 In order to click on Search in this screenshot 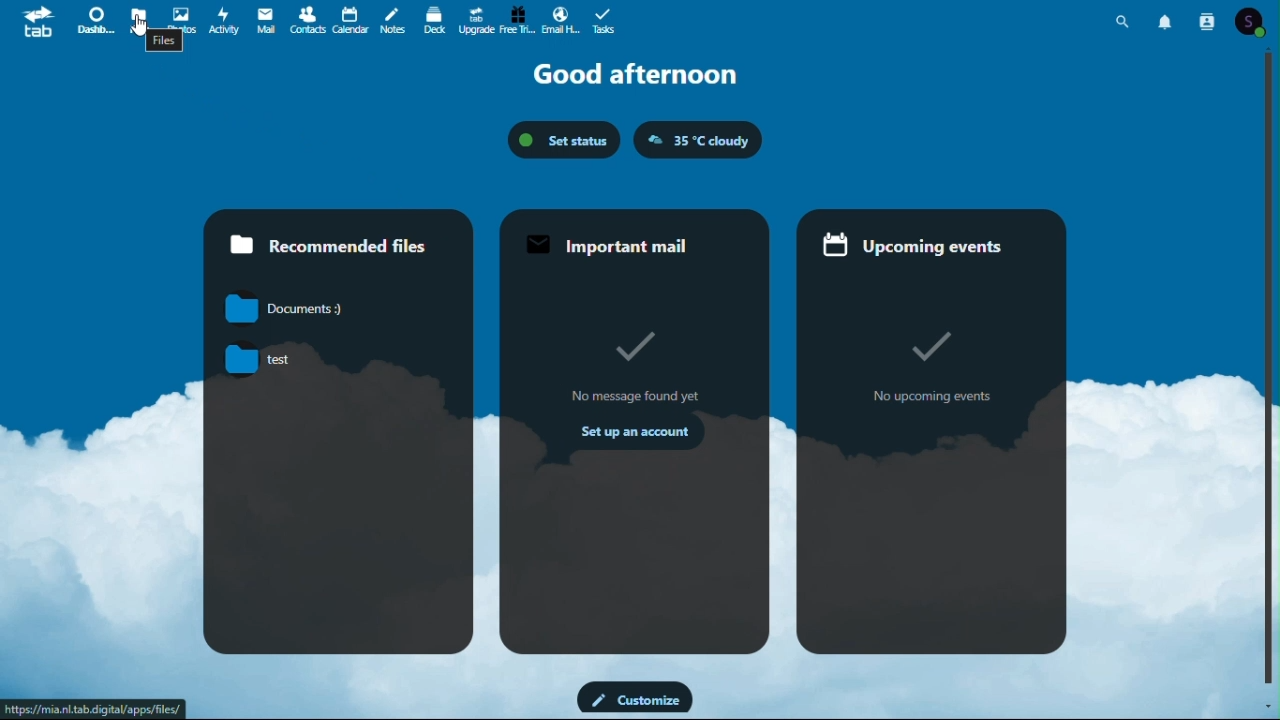, I will do `click(1126, 19)`.